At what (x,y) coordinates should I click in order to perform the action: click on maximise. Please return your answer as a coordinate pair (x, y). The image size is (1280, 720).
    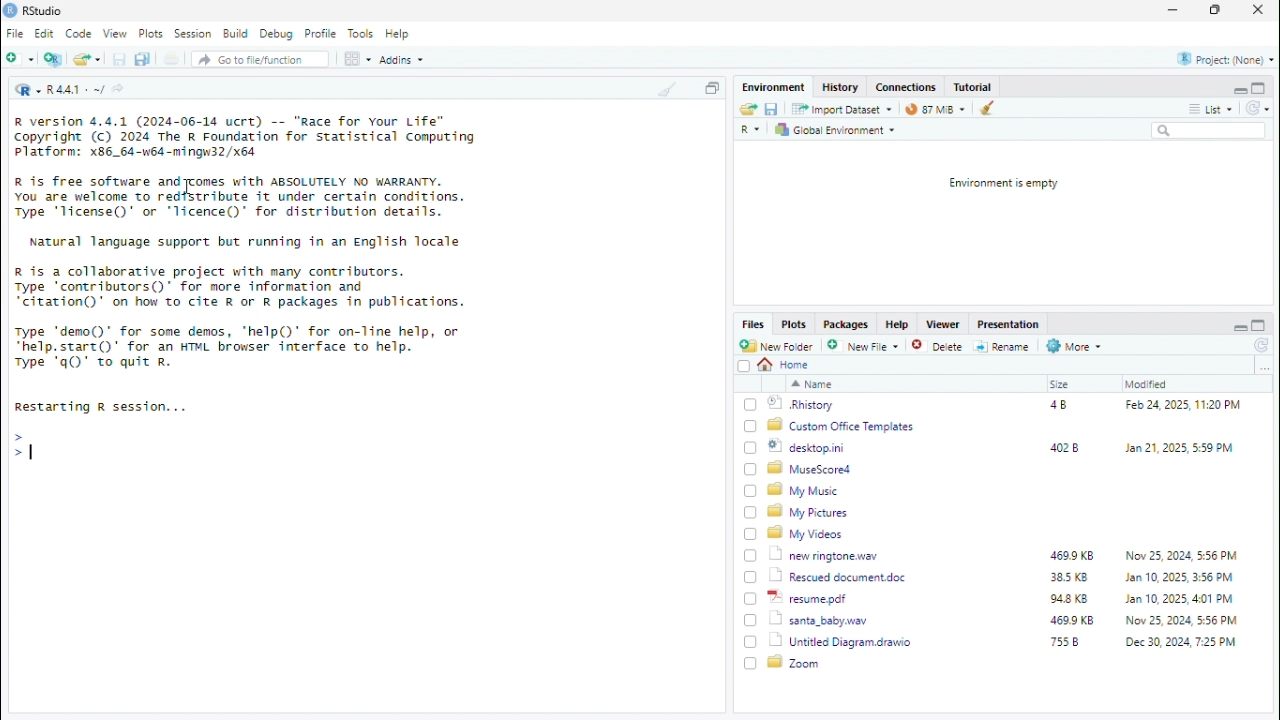
    Looking at the image, I should click on (1215, 9).